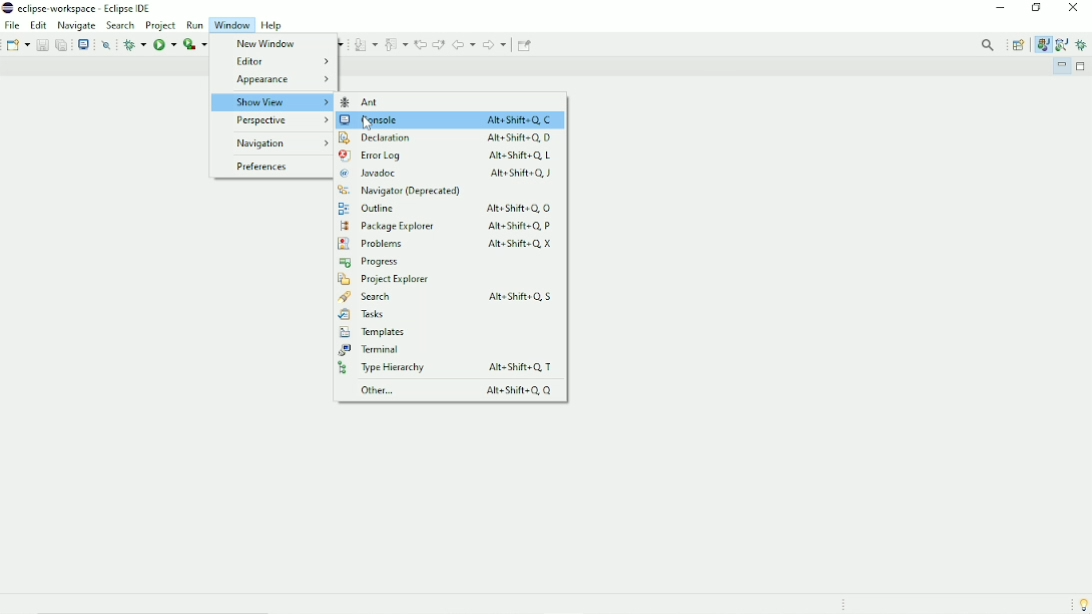 The height and width of the screenshot is (614, 1092). Describe the element at coordinates (445, 244) in the screenshot. I see `Problems` at that location.